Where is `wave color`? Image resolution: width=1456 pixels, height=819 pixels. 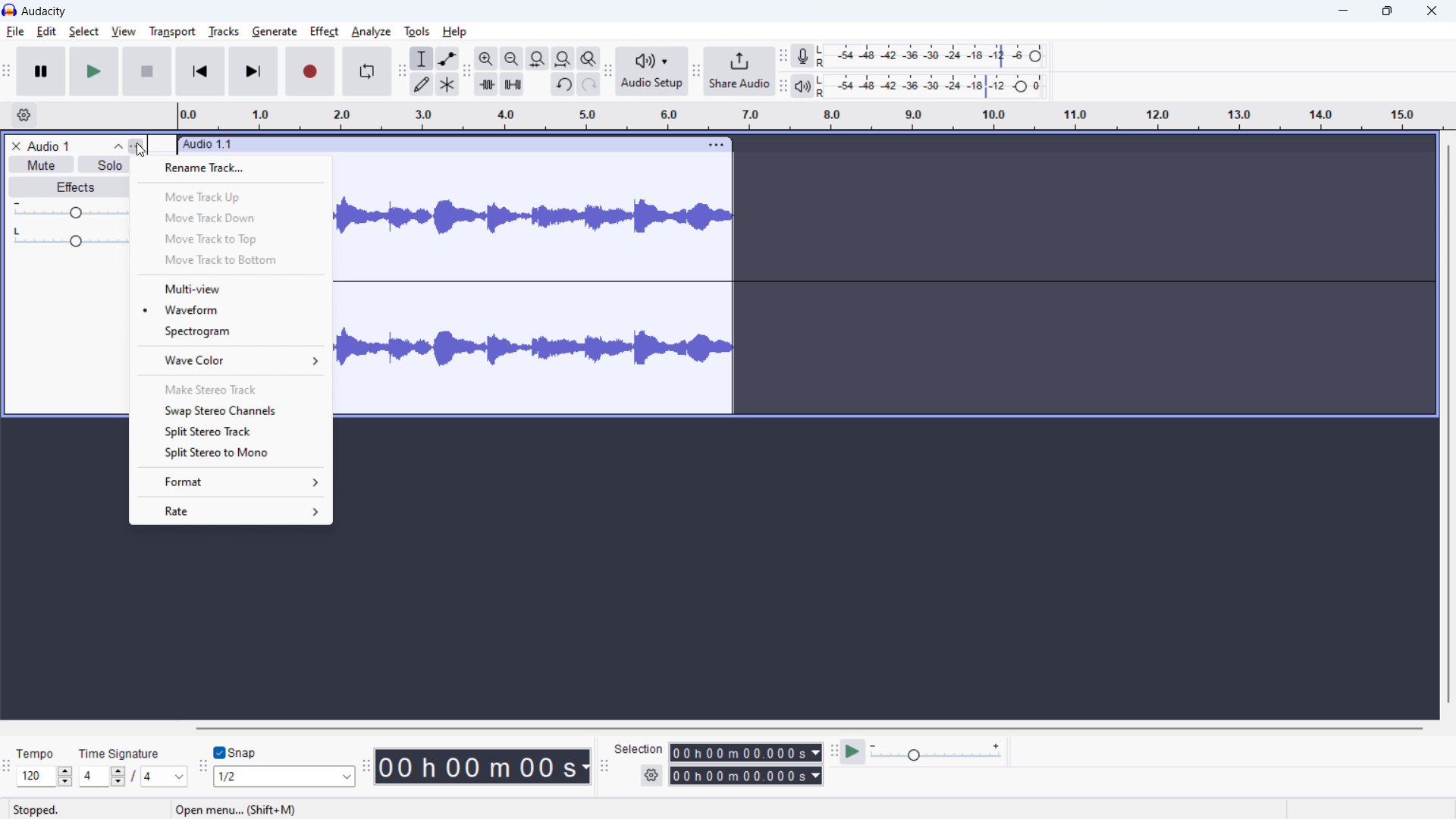 wave color is located at coordinates (231, 360).